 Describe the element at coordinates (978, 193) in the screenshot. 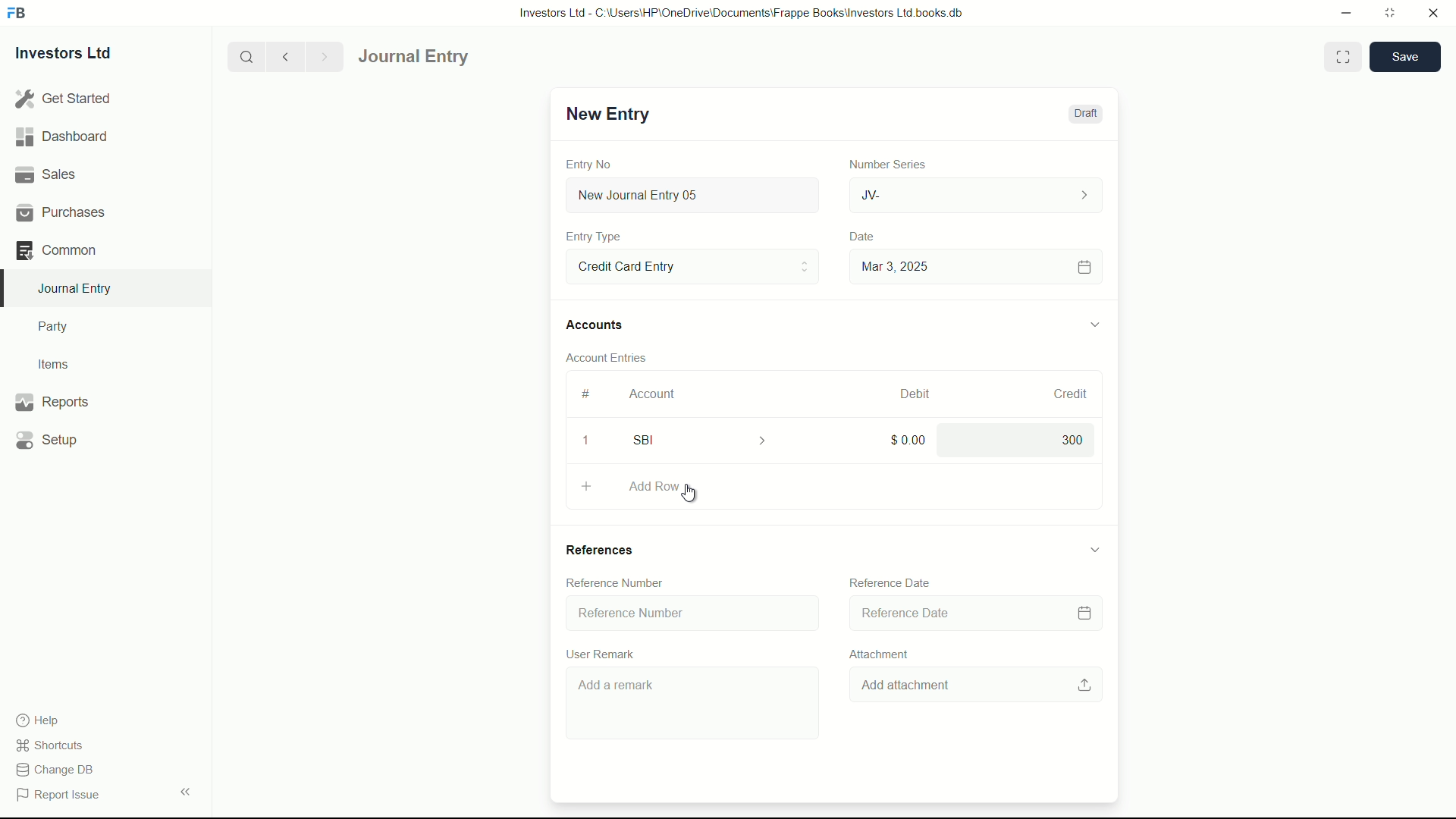

I see `JV` at that location.